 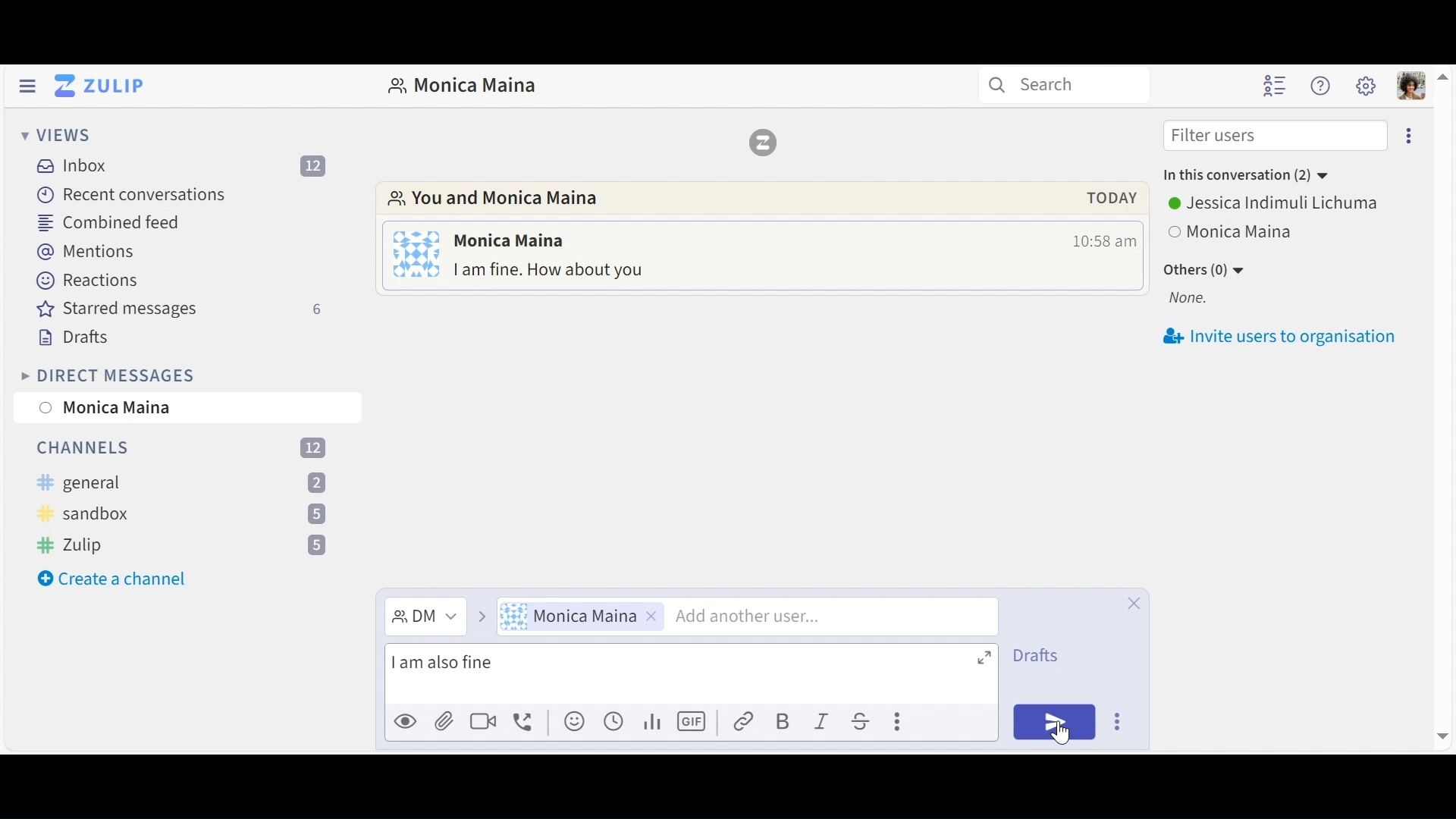 I want to click on Add another user, so click(x=825, y=615).